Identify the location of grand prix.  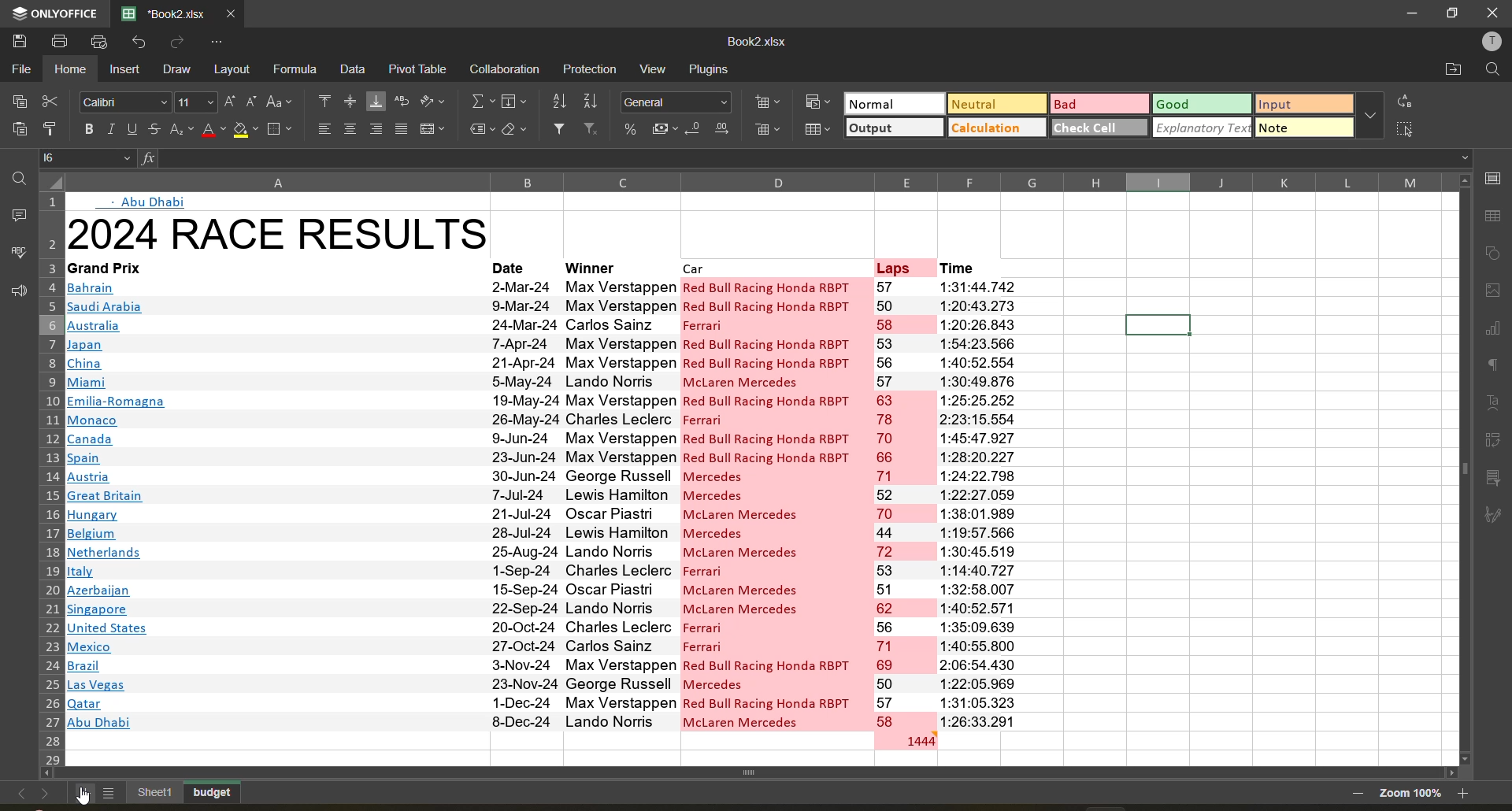
(266, 266).